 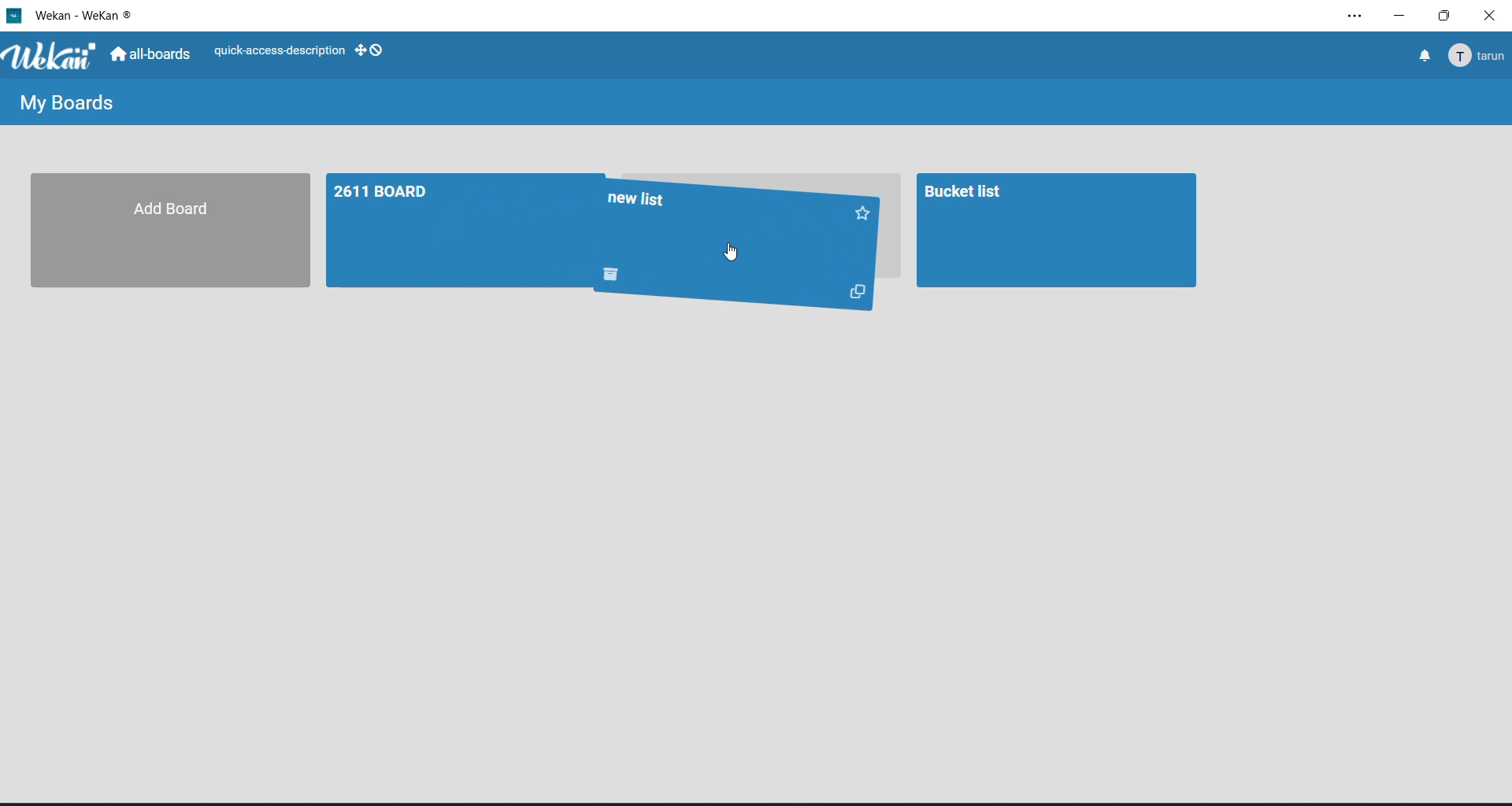 What do you see at coordinates (154, 57) in the screenshot?
I see `all boards` at bounding box center [154, 57].